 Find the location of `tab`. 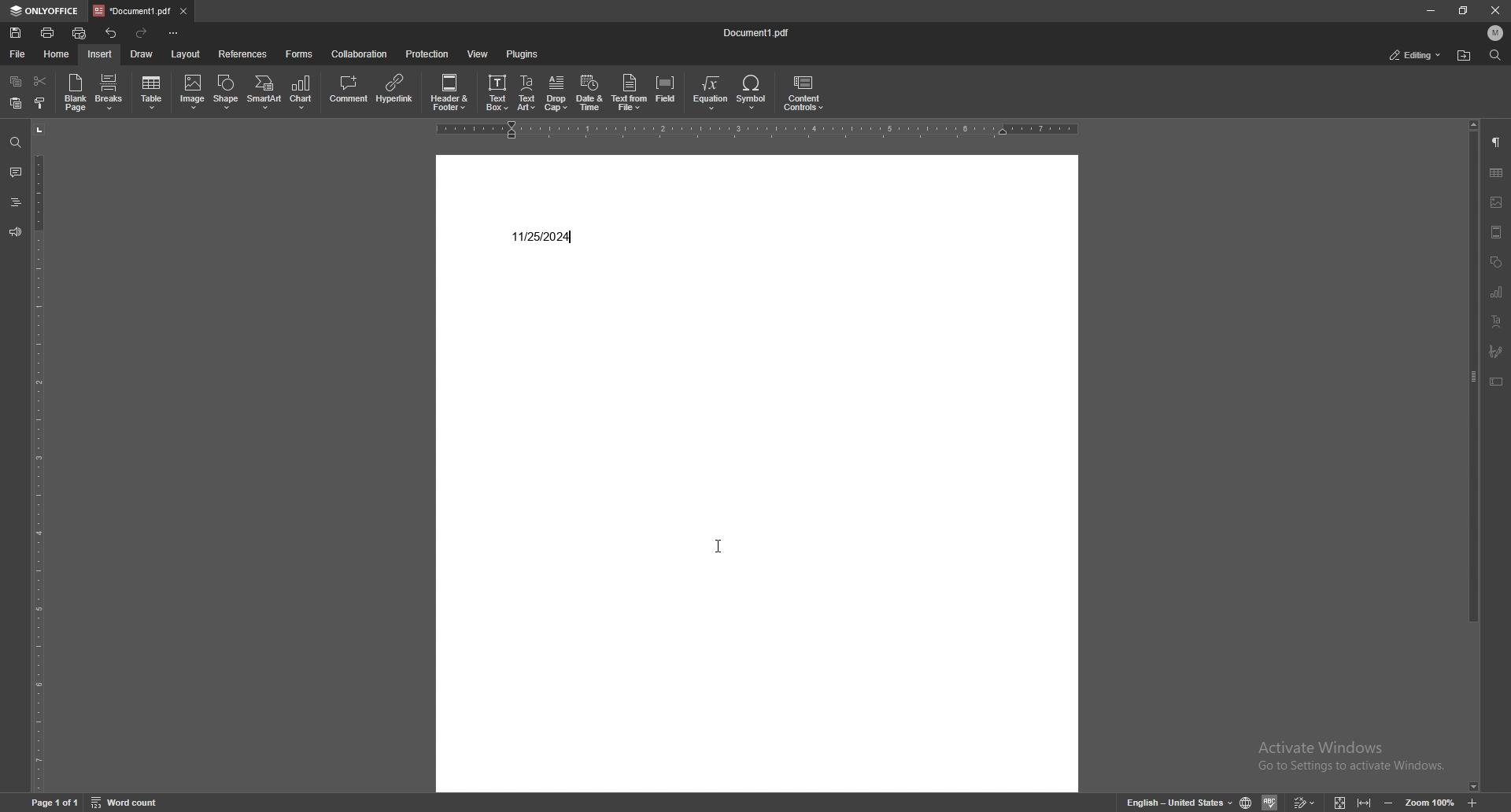

tab is located at coordinates (131, 11).